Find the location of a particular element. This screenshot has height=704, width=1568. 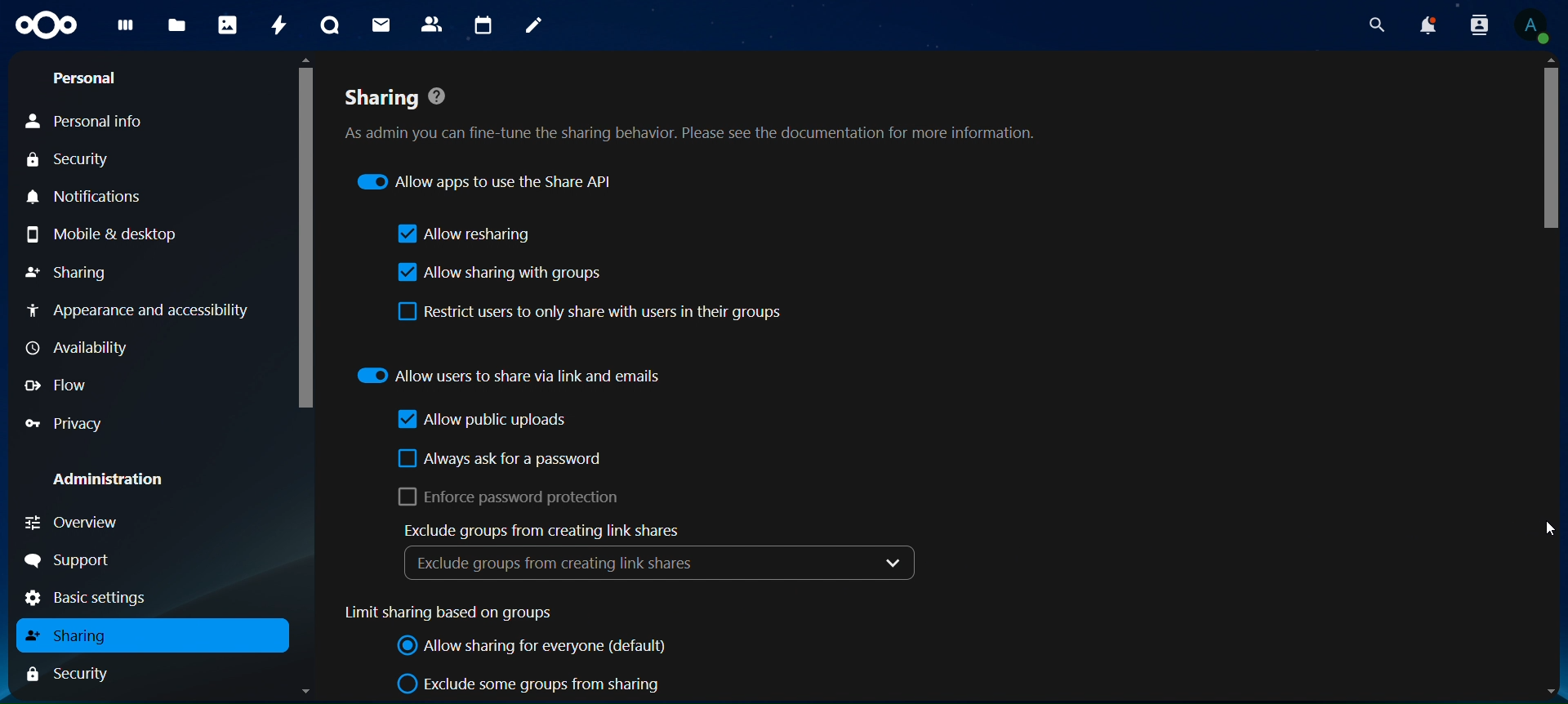

exclude some groups from sharing is located at coordinates (528, 684).